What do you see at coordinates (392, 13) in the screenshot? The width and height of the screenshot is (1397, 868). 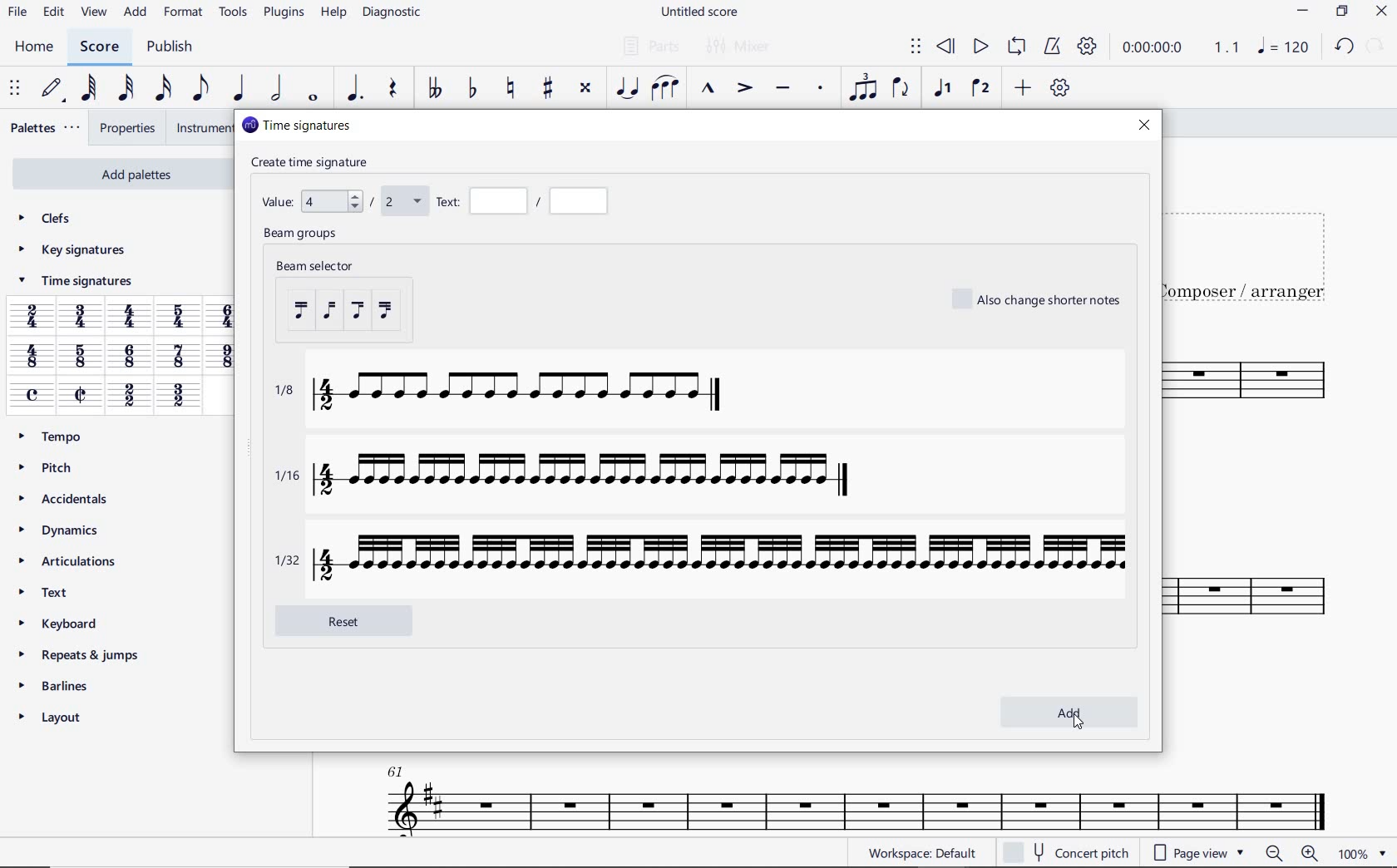 I see `DIAGNOSTIC` at bounding box center [392, 13].